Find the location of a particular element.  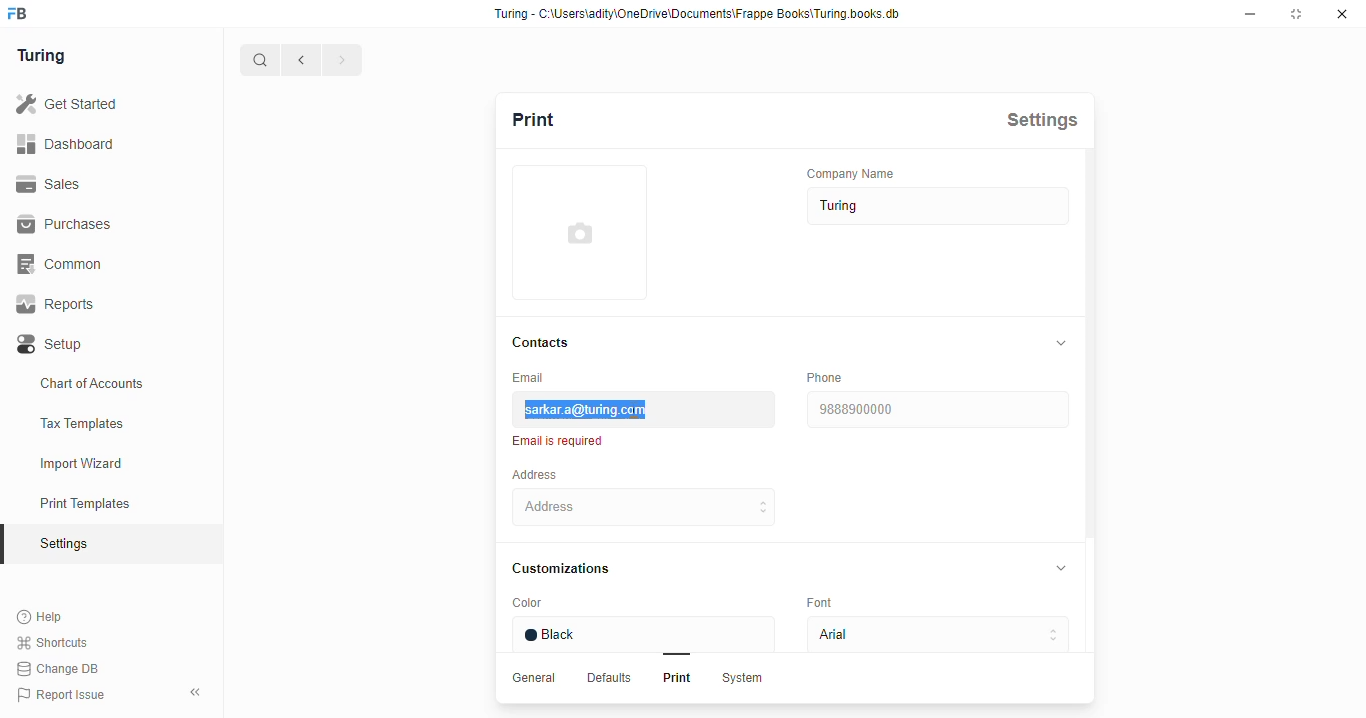

‘Company Name is located at coordinates (859, 172).